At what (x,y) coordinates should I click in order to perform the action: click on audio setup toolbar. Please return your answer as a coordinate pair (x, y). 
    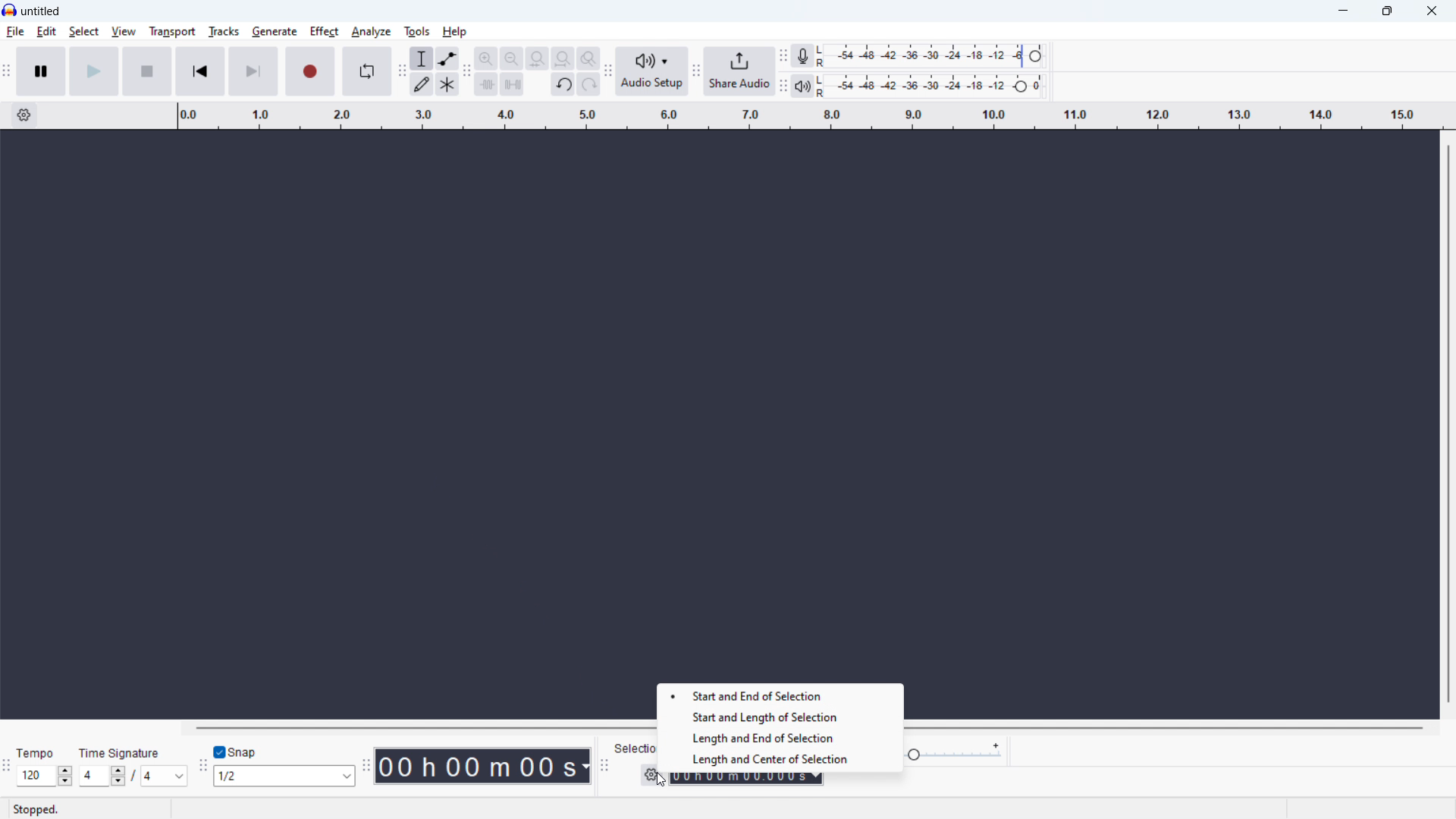
    Looking at the image, I should click on (608, 73).